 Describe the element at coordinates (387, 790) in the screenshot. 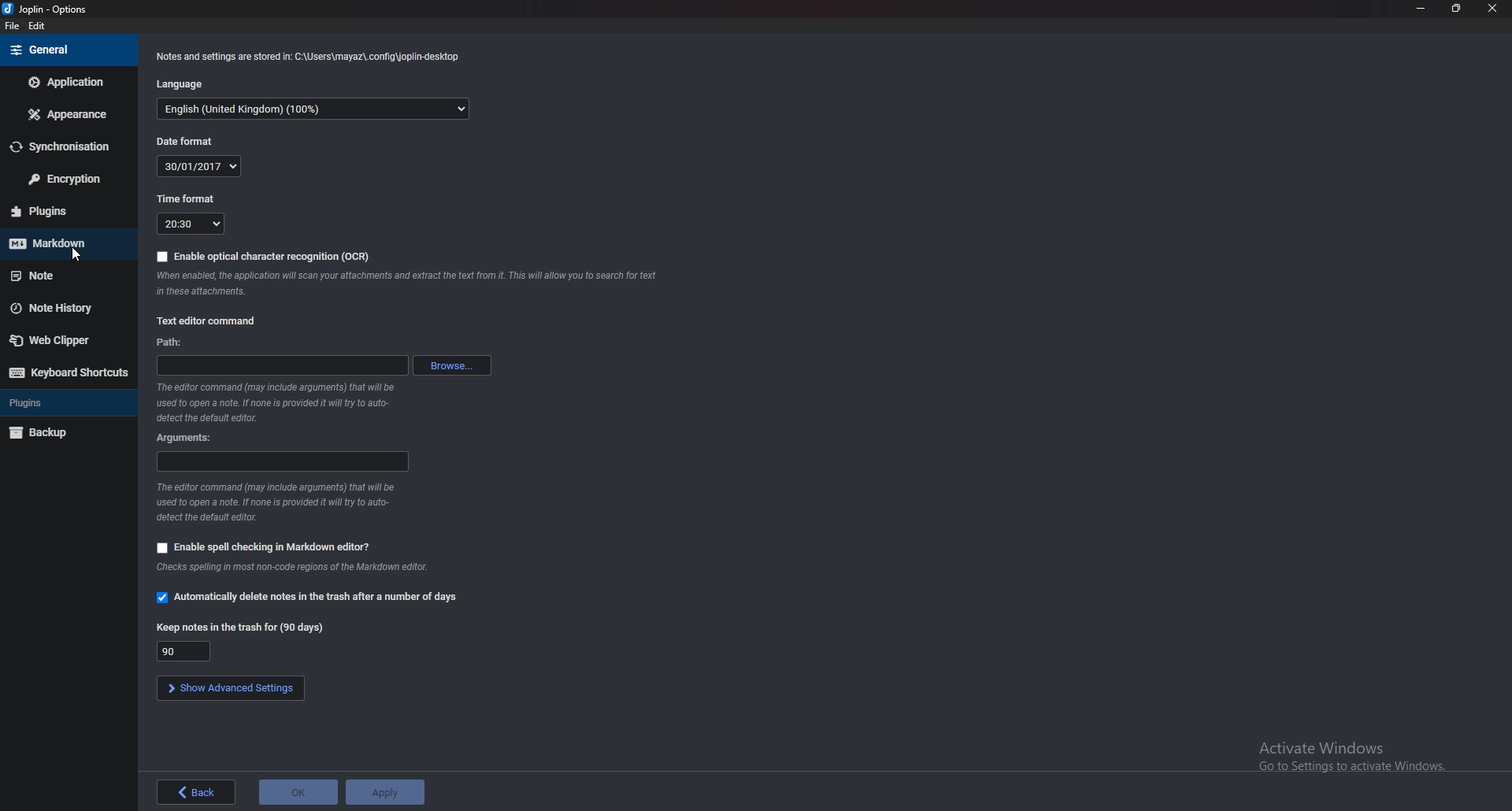

I see `apply` at that location.